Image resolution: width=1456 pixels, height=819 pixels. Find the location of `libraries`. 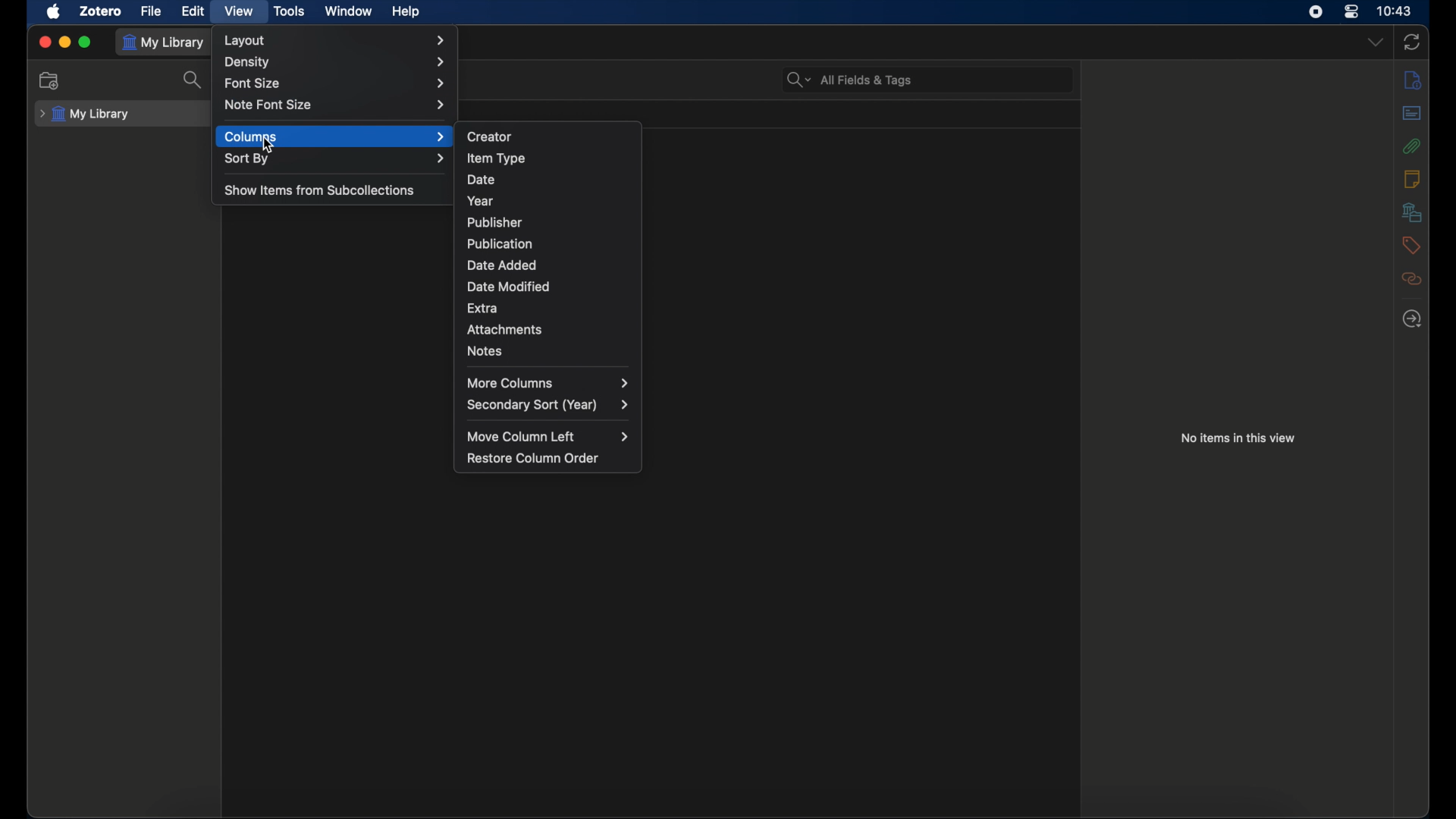

libraries is located at coordinates (1411, 212).